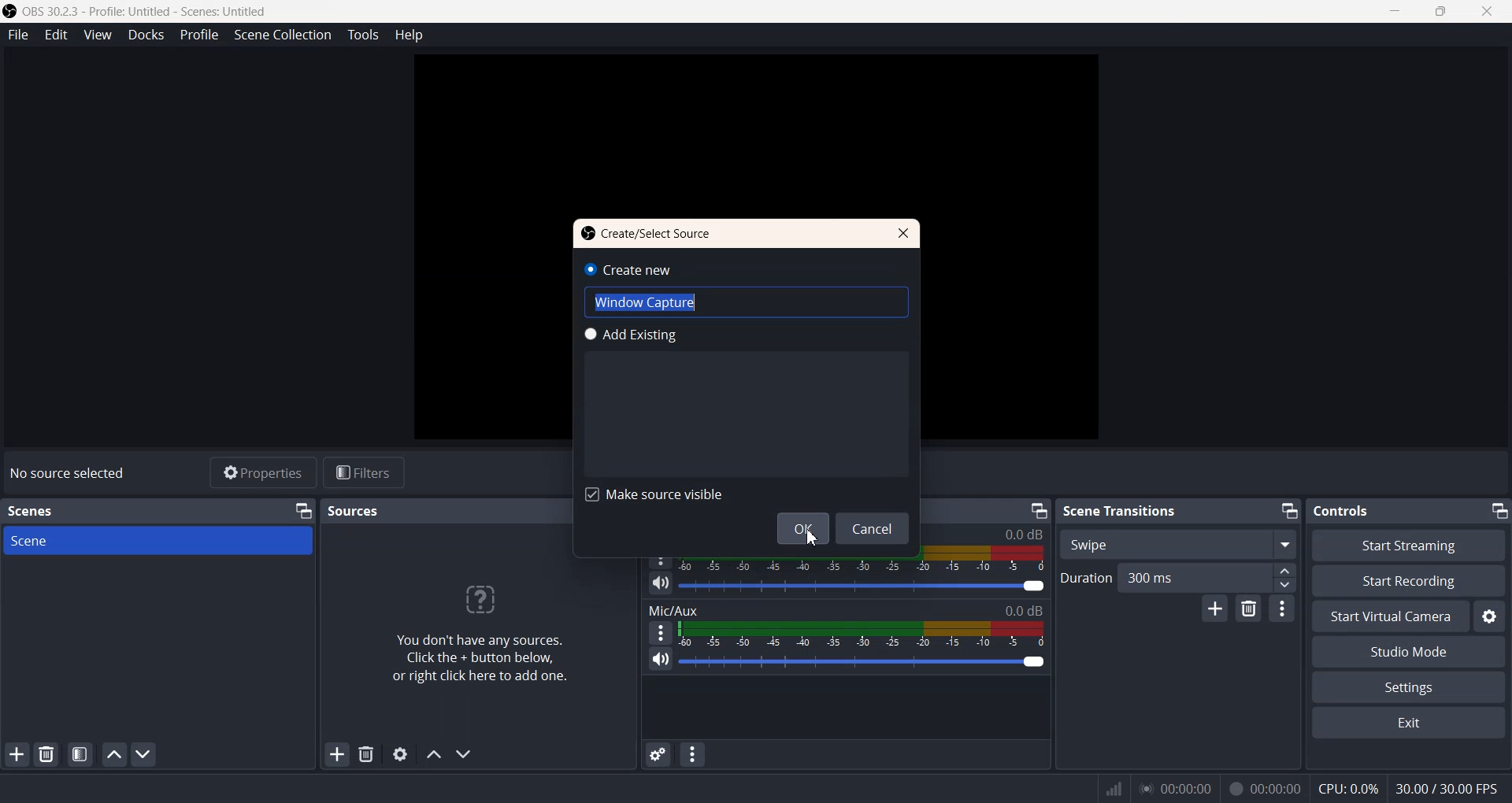 This screenshot has height=803, width=1512. Describe the element at coordinates (1408, 653) in the screenshot. I see `Studio Mode` at that location.